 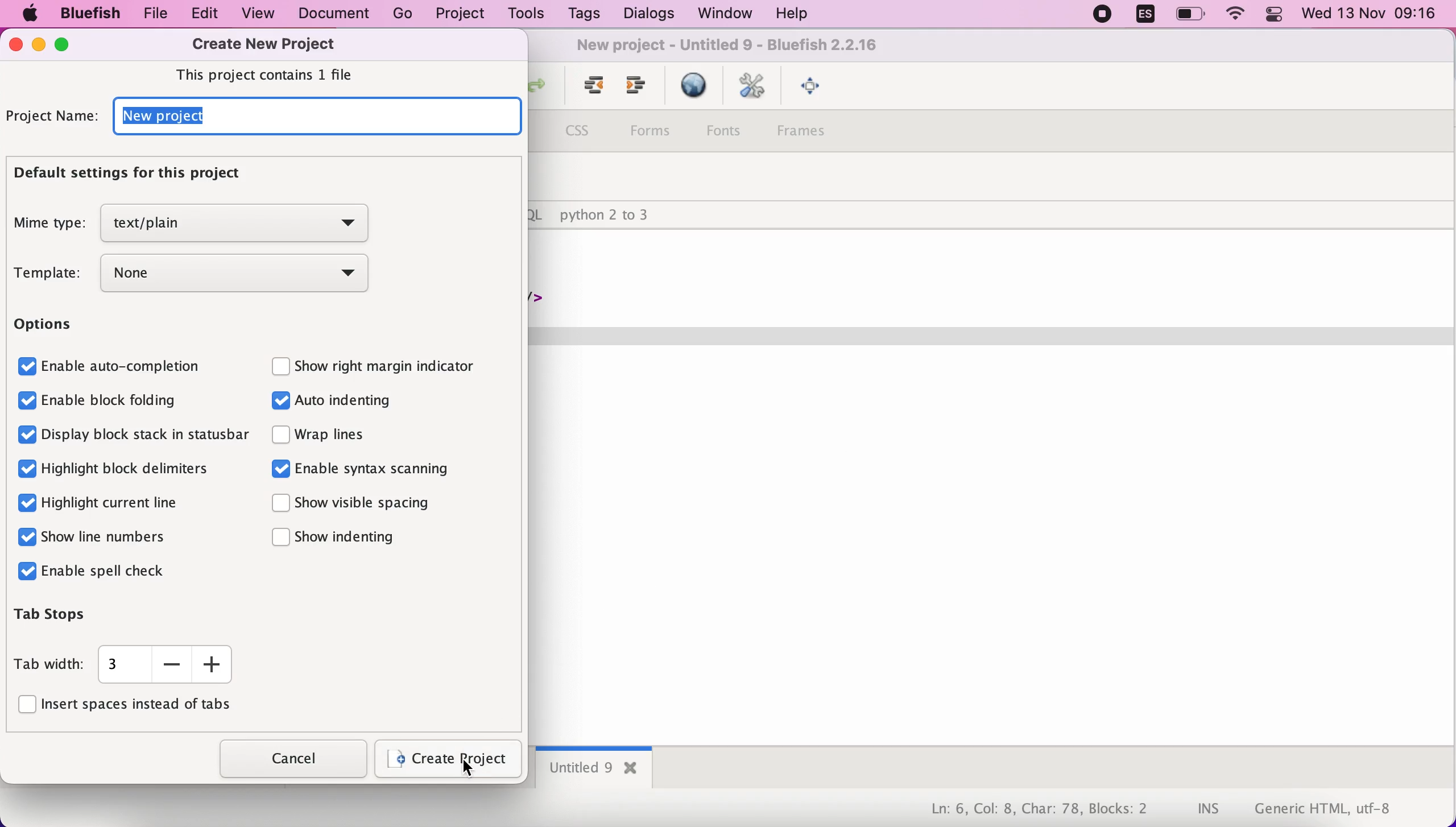 I want to click on indent, so click(x=636, y=89).